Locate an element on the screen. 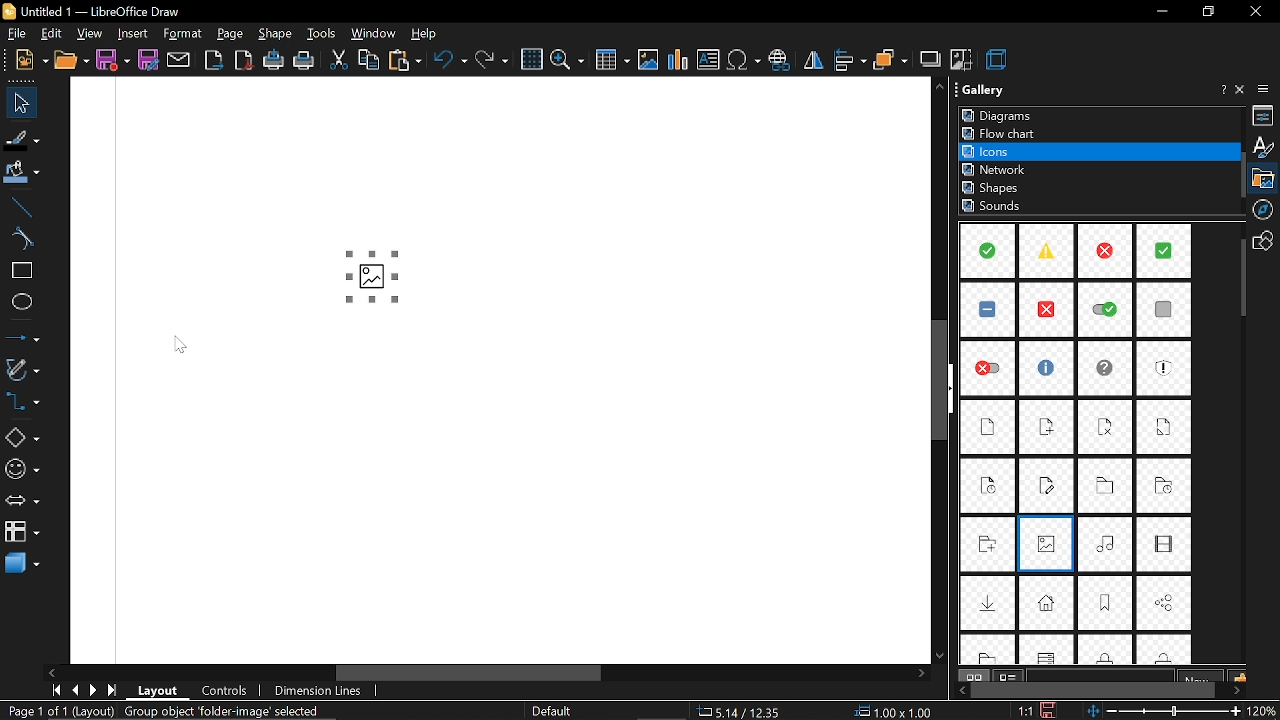  Page 1 of 1 is located at coordinates (163, 711).